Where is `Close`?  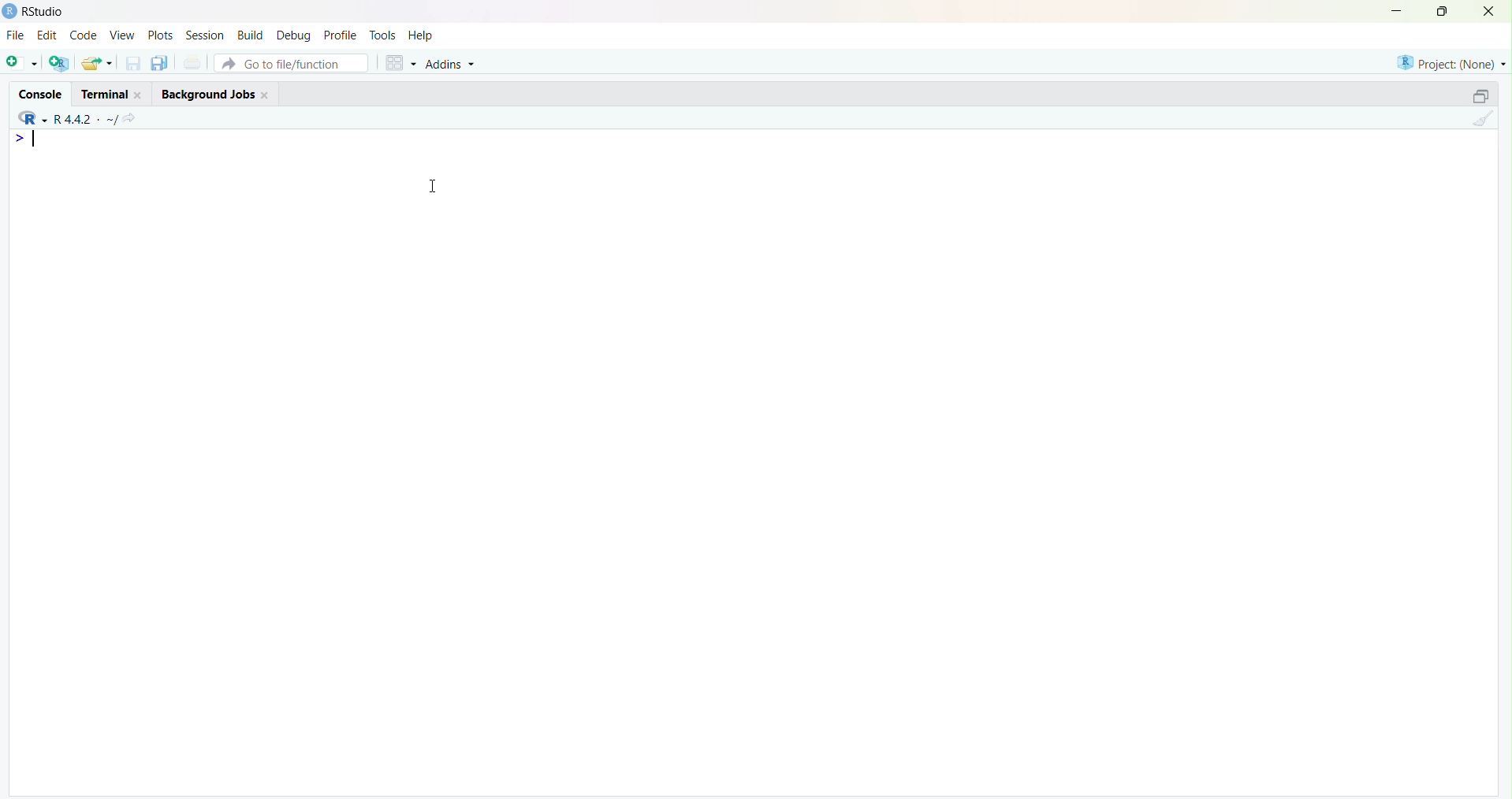
Close is located at coordinates (1489, 13).